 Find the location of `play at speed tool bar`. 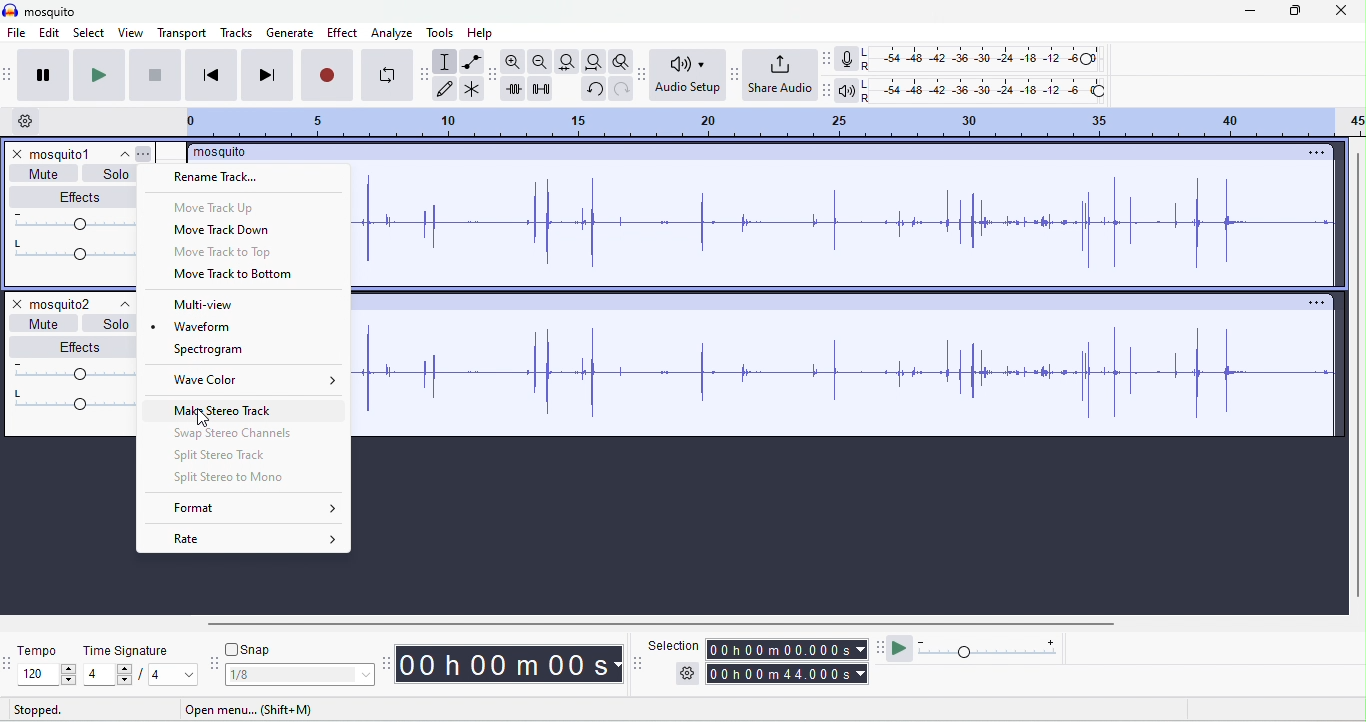

play at speed tool bar is located at coordinates (881, 649).